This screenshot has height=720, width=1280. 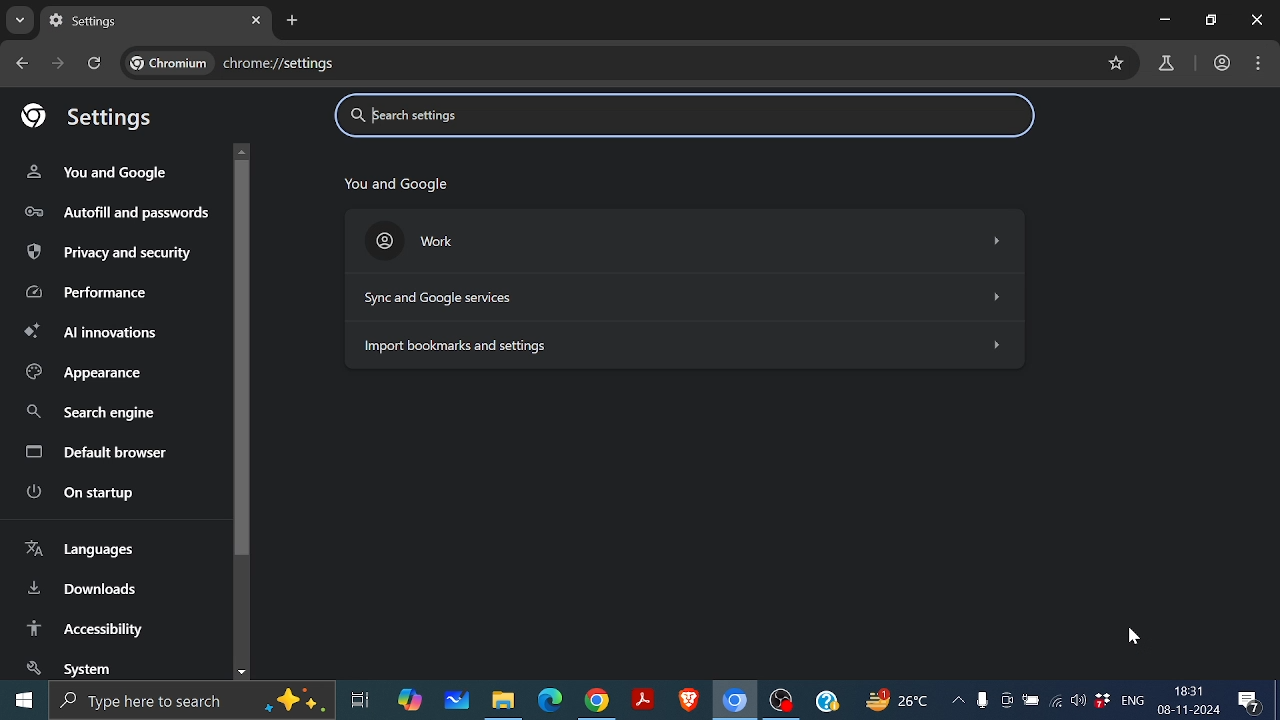 I want to click on System, so click(x=70, y=667).